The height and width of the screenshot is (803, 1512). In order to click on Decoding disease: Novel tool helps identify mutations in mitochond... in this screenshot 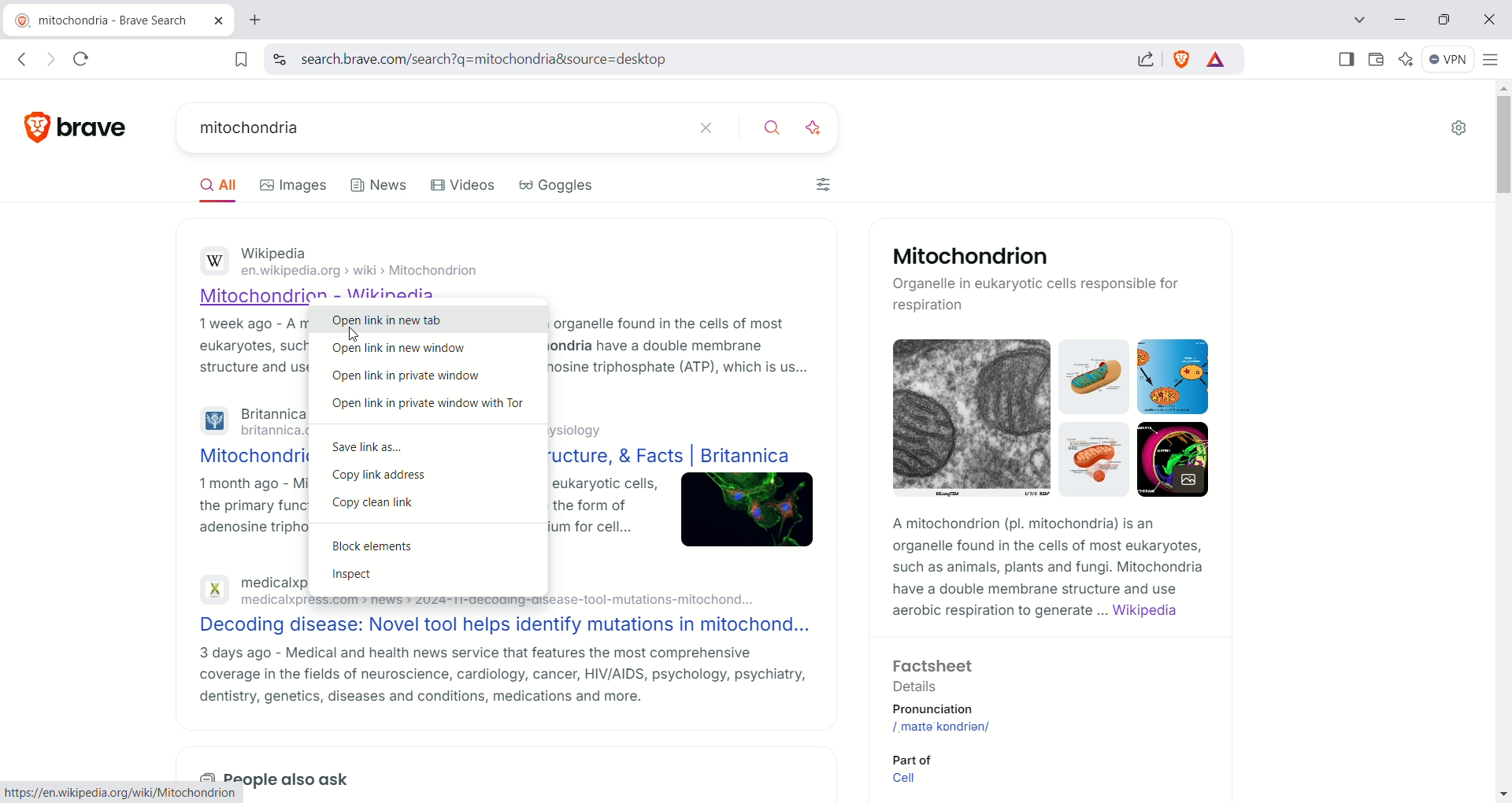, I will do `click(504, 623)`.